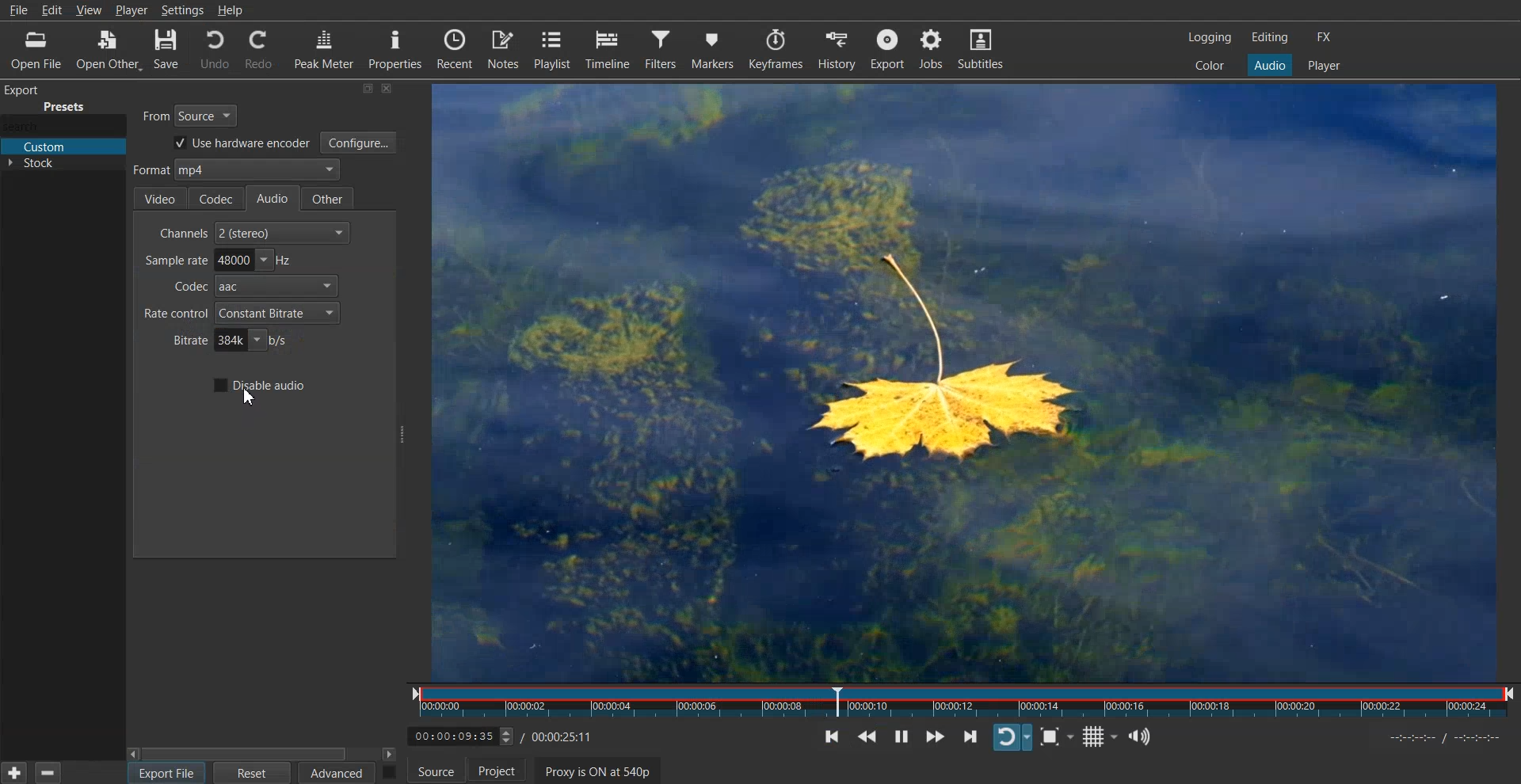  Describe the element at coordinates (835, 736) in the screenshot. I see `Skip to the previous point` at that location.